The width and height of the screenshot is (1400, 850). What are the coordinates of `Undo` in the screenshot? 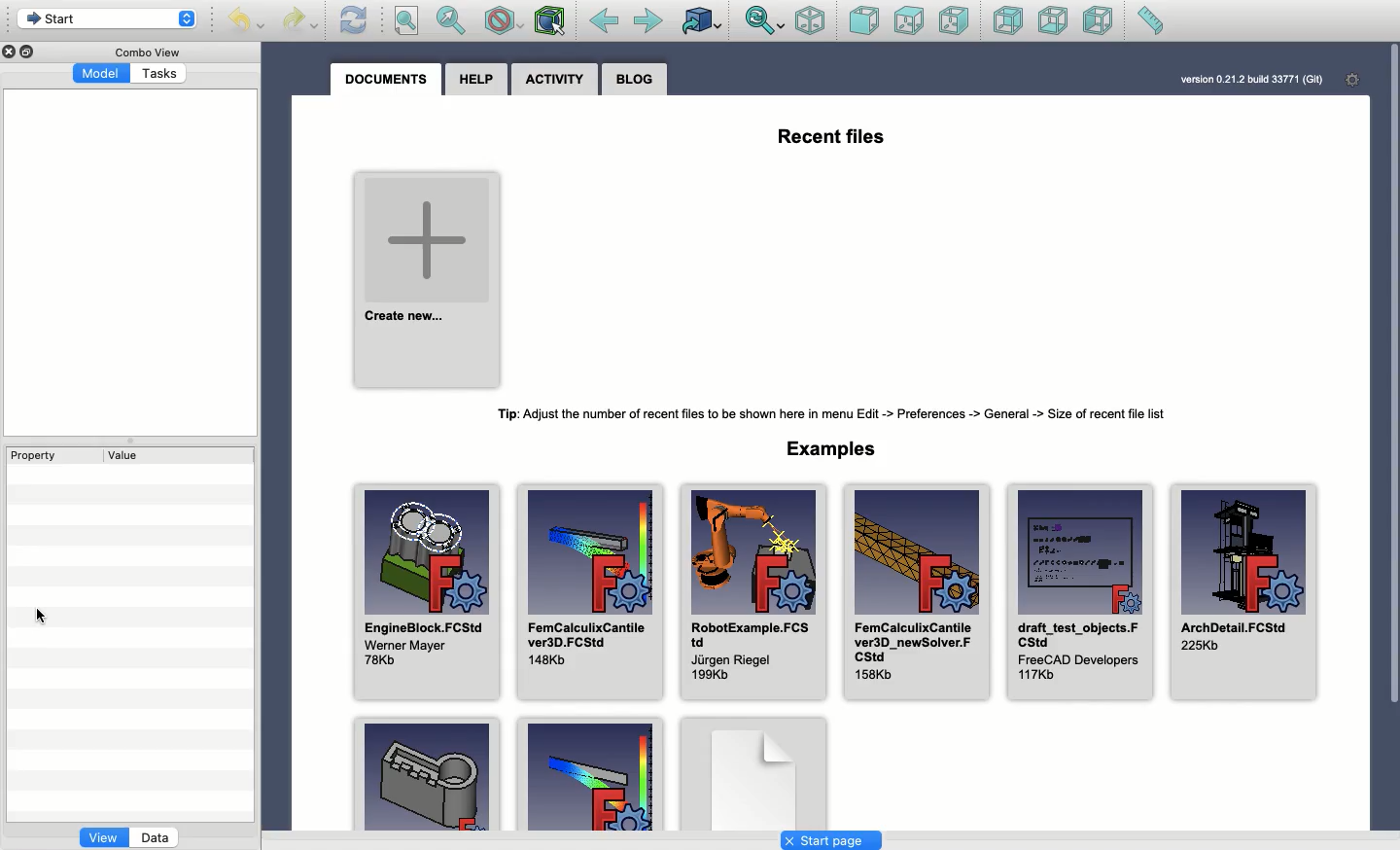 It's located at (243, 21).